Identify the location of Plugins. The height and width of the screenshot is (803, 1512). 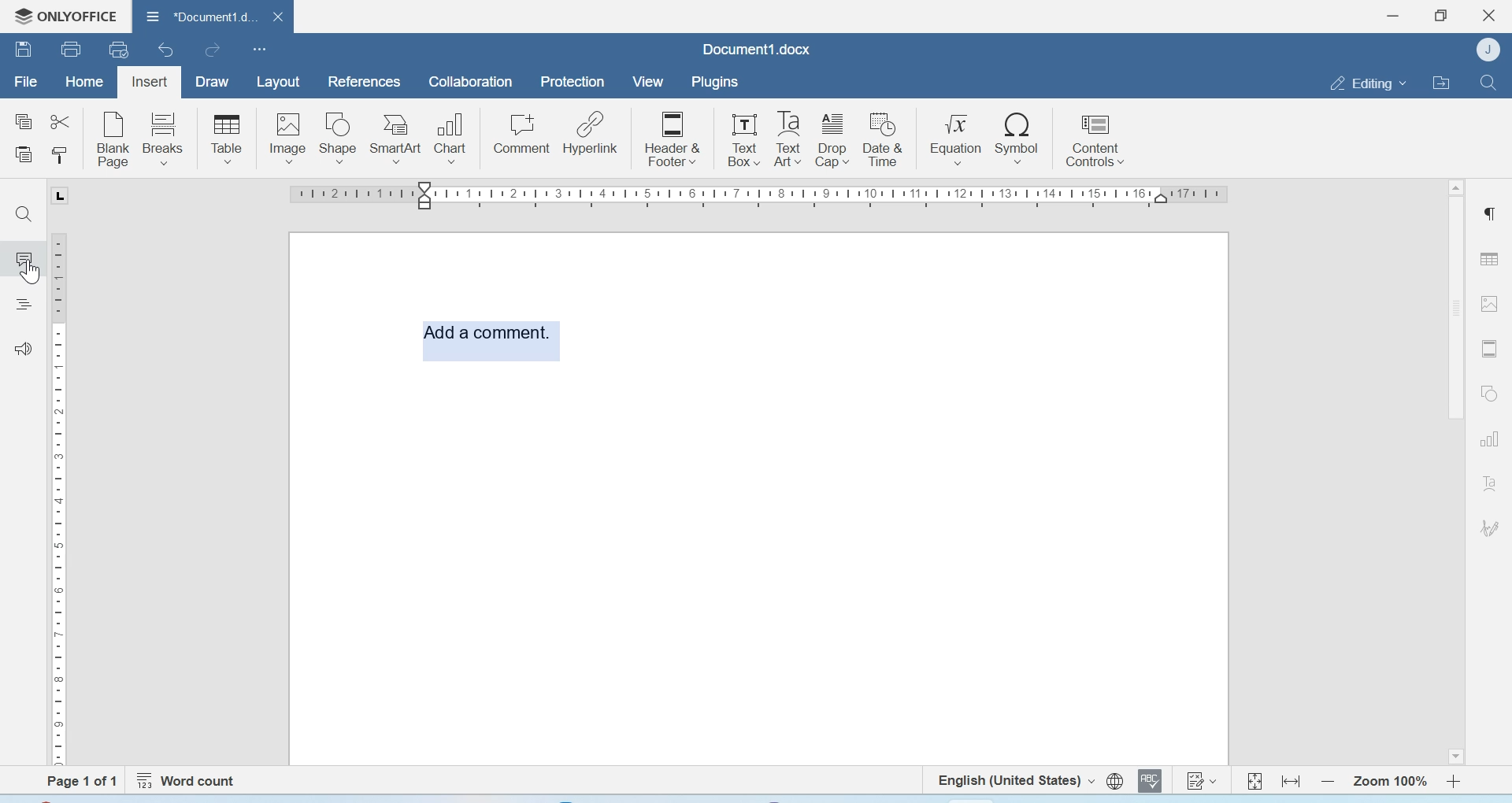
(713, 82).